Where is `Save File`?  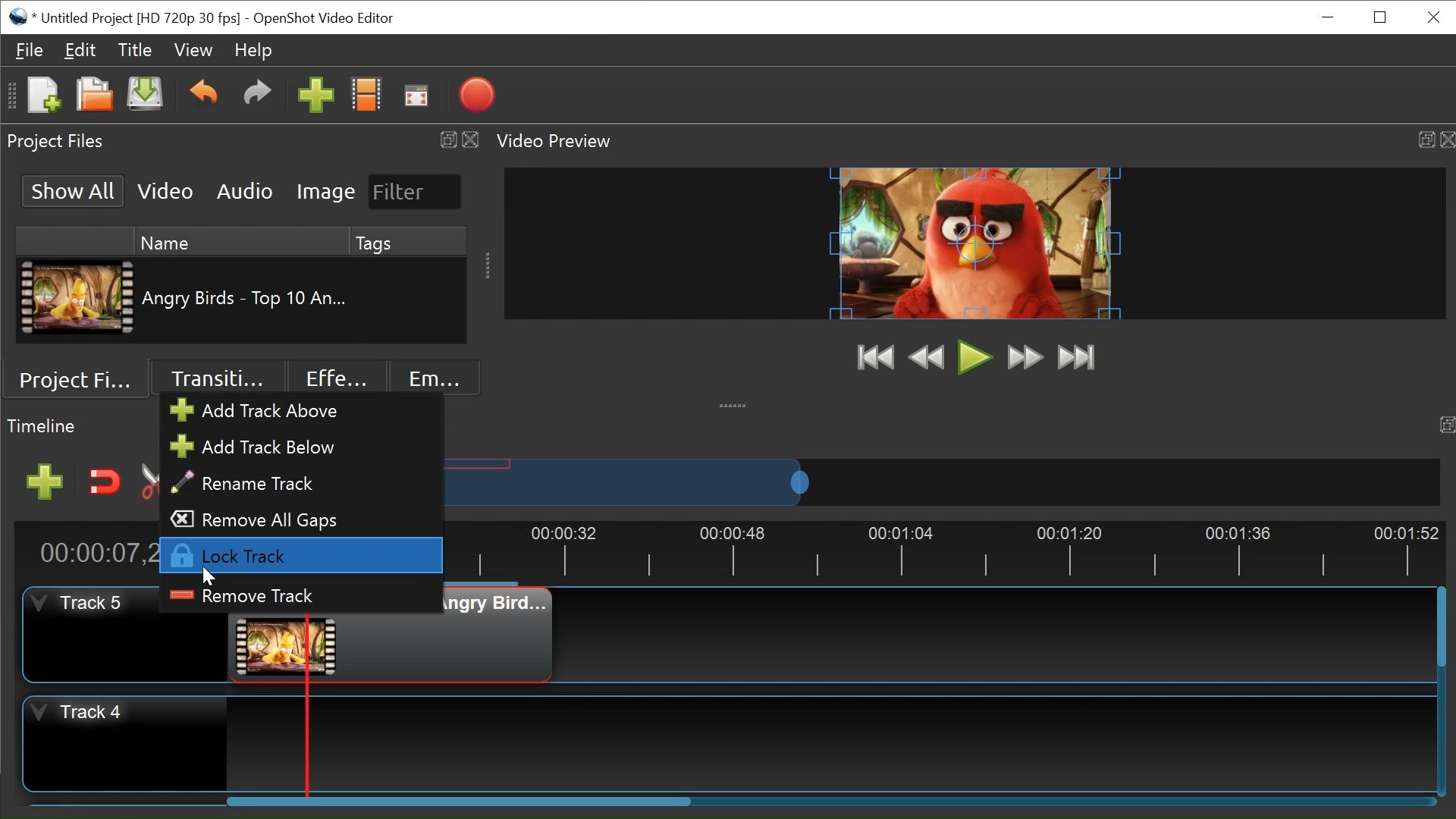 Save File is located at coordinates (145, 97).